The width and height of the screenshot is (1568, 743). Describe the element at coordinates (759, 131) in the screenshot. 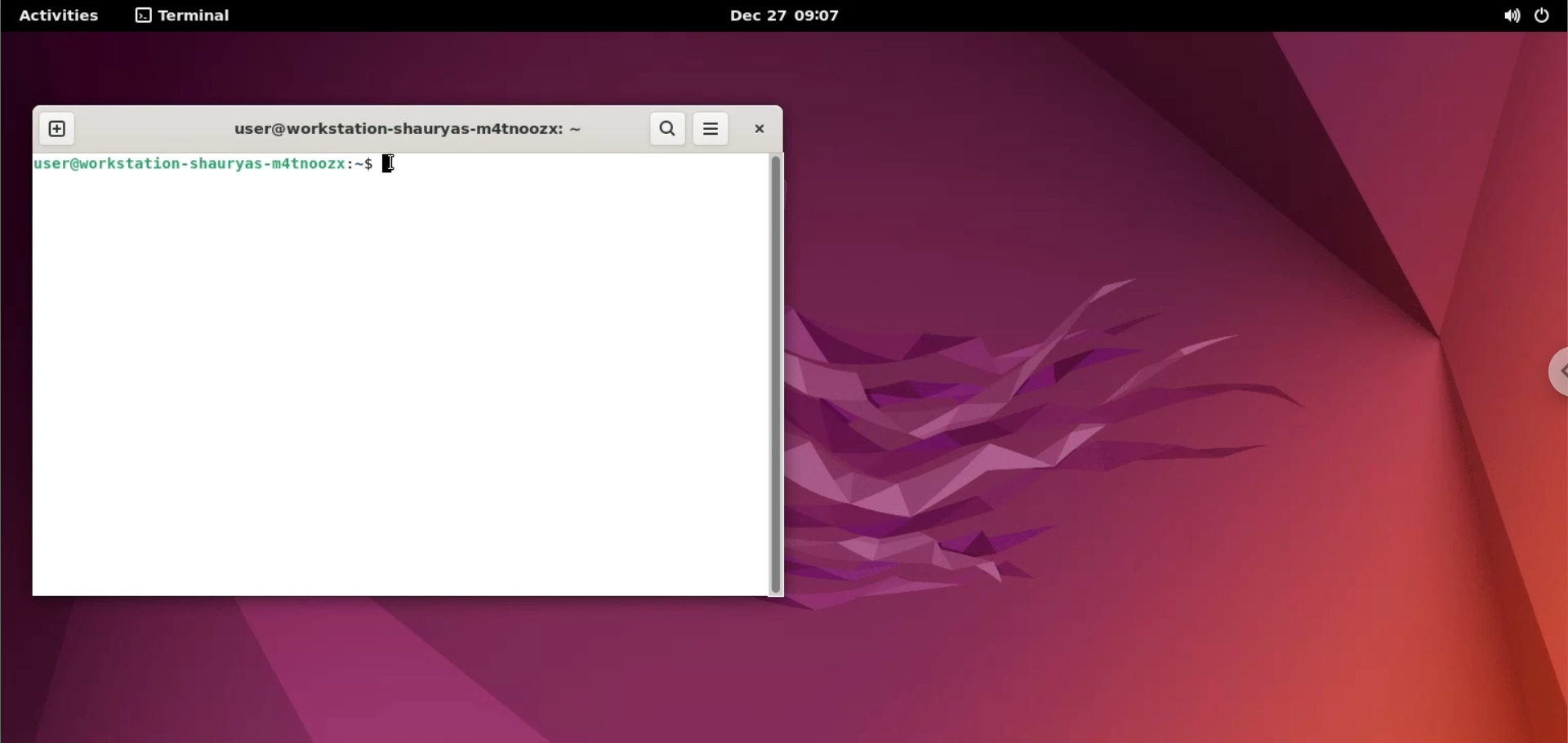

I see `close` at that location.